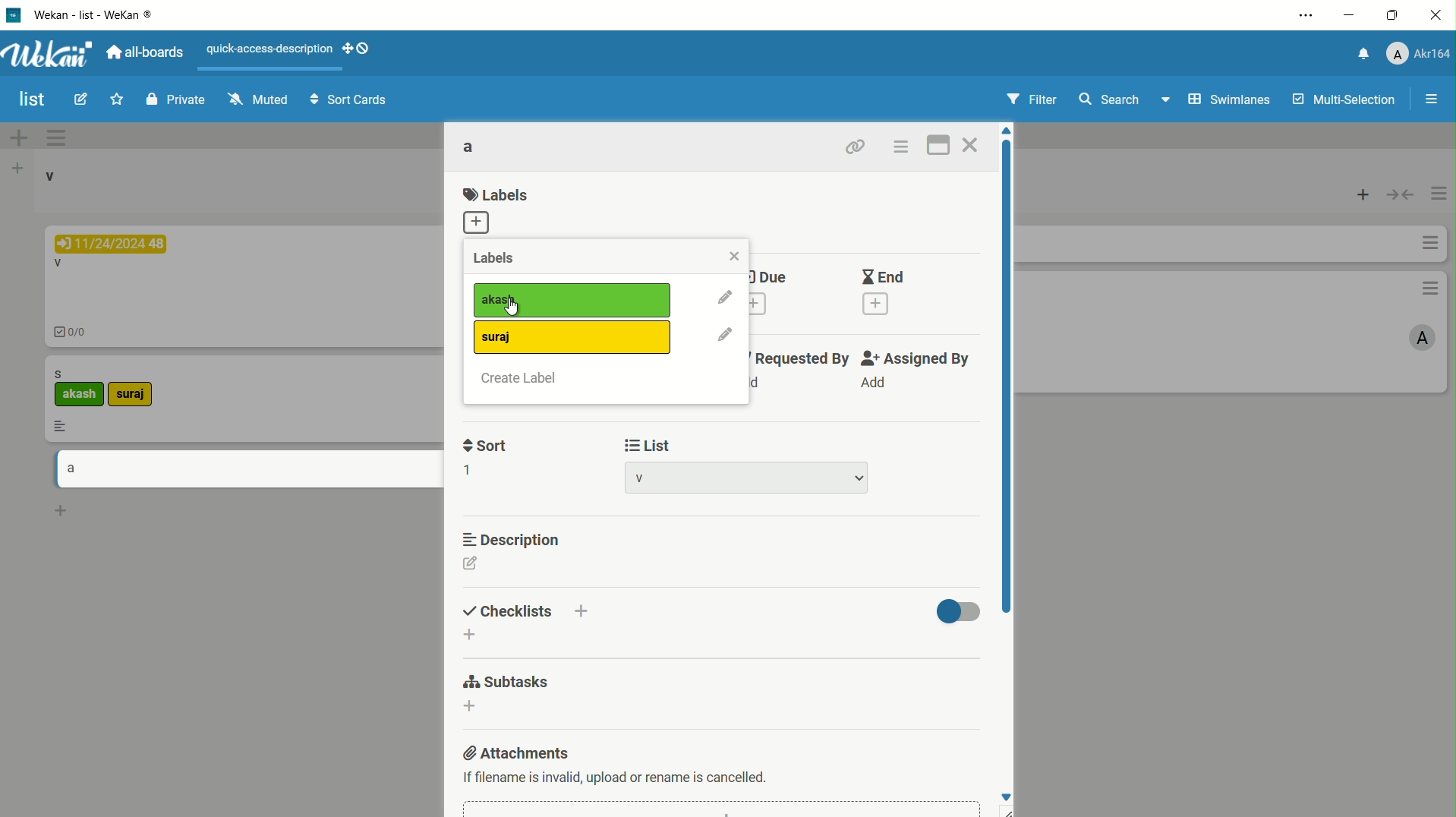 This screenshot has height=817, width=1456. I want to click on minimize, so click(1351, 17).